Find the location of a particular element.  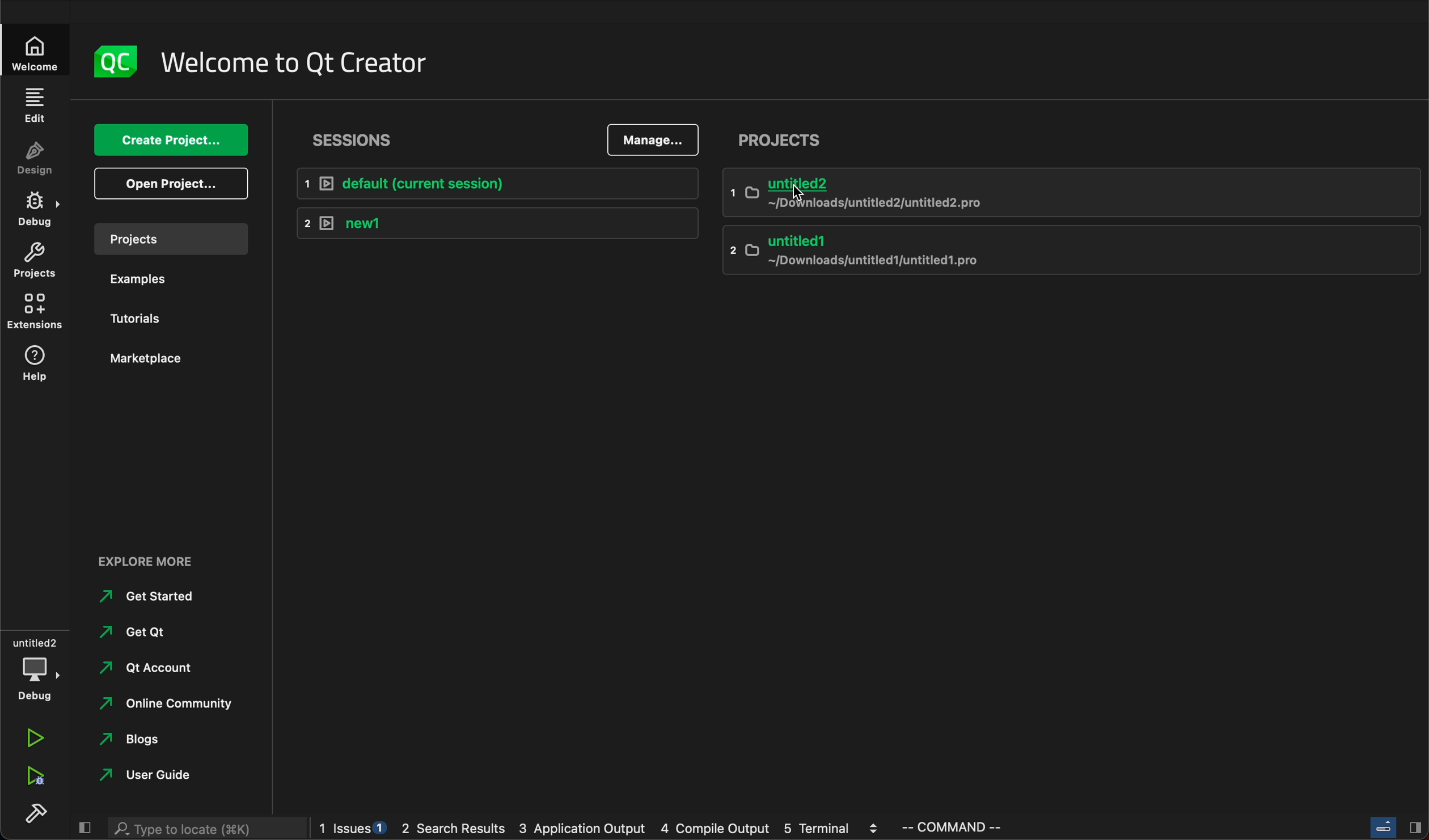

untitled2 is located at coordinates (1076, 192).